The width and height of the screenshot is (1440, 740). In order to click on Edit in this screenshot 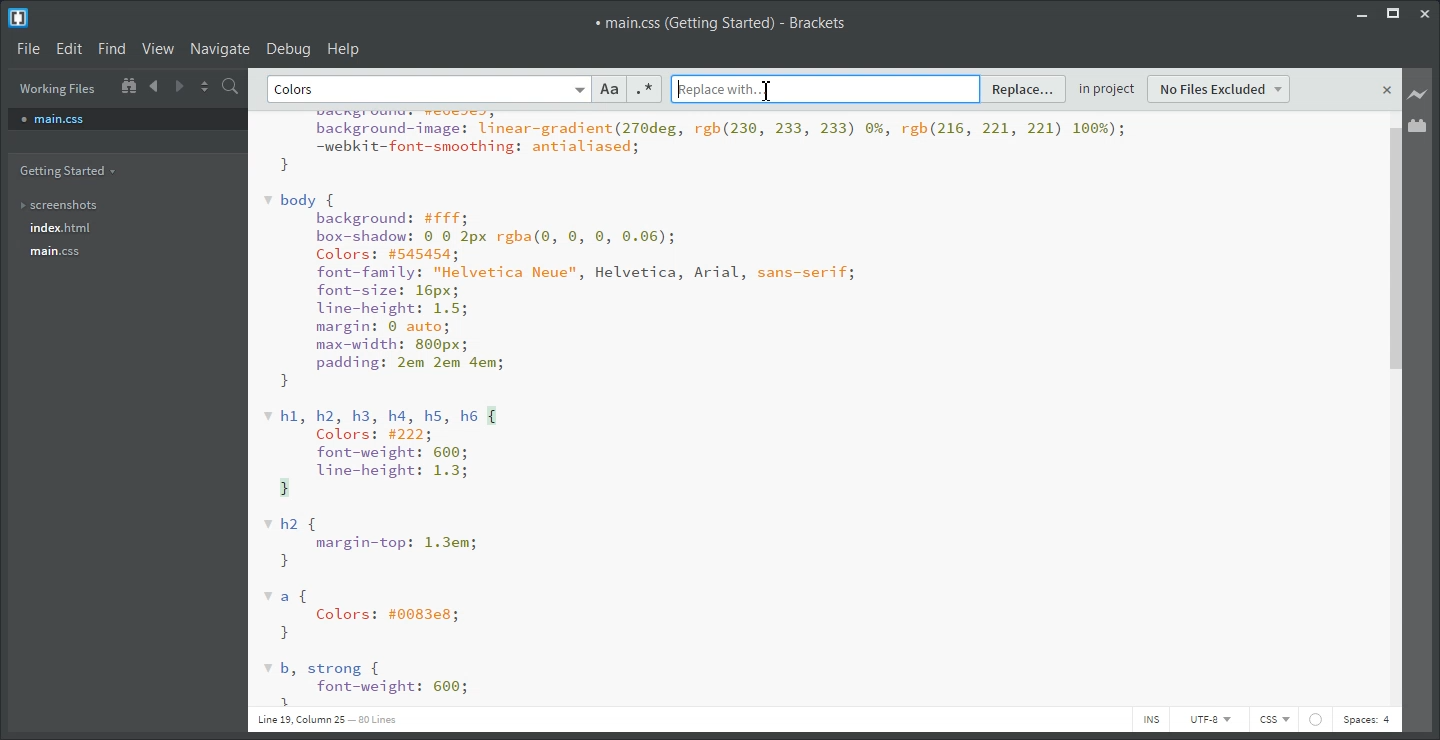, I will do `click(68, 48)`.